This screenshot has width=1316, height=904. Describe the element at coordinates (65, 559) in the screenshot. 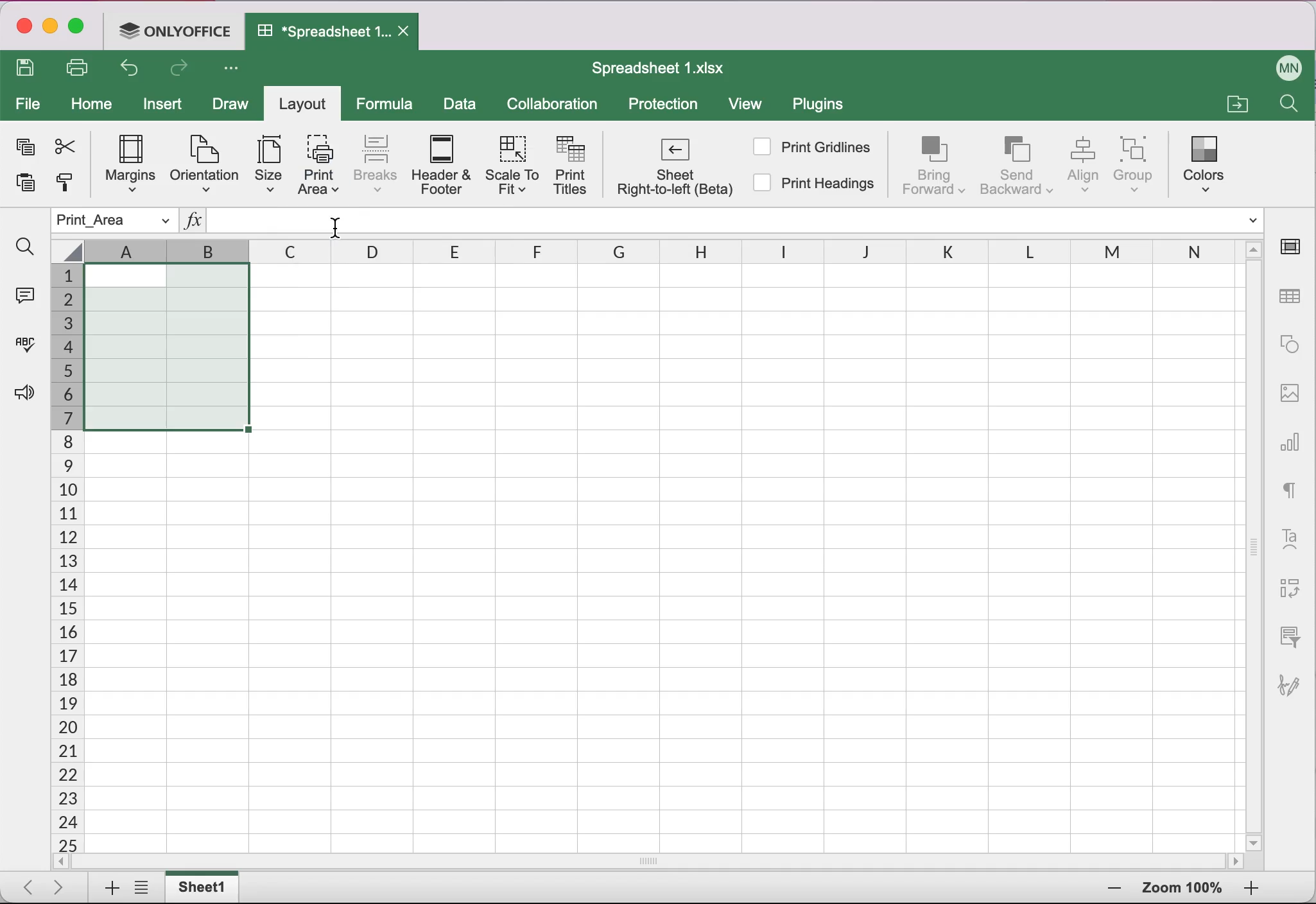

I see `number of cells` at that location.